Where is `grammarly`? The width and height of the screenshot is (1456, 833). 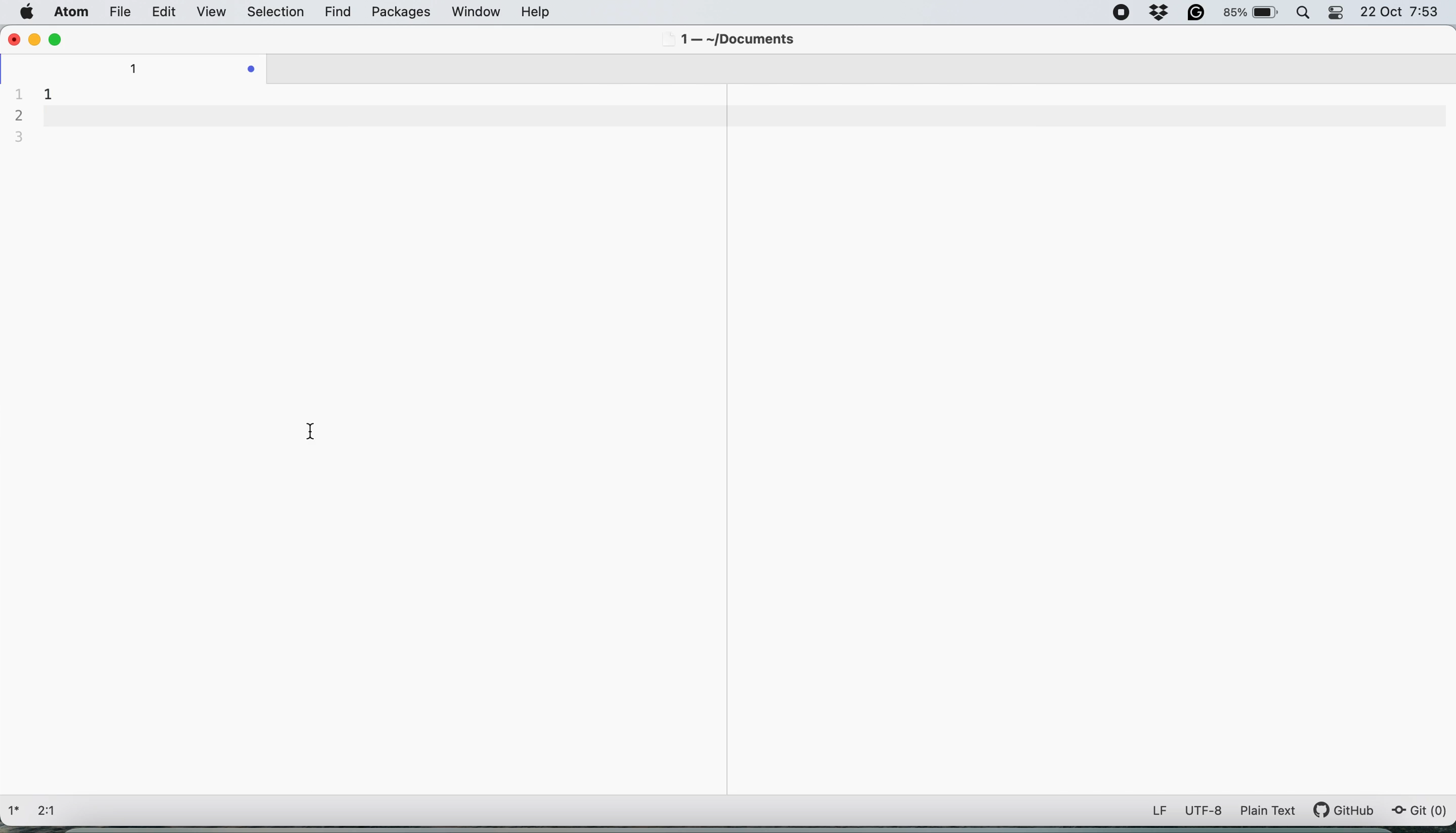 grammarly is located at coordinates (1198, 13).